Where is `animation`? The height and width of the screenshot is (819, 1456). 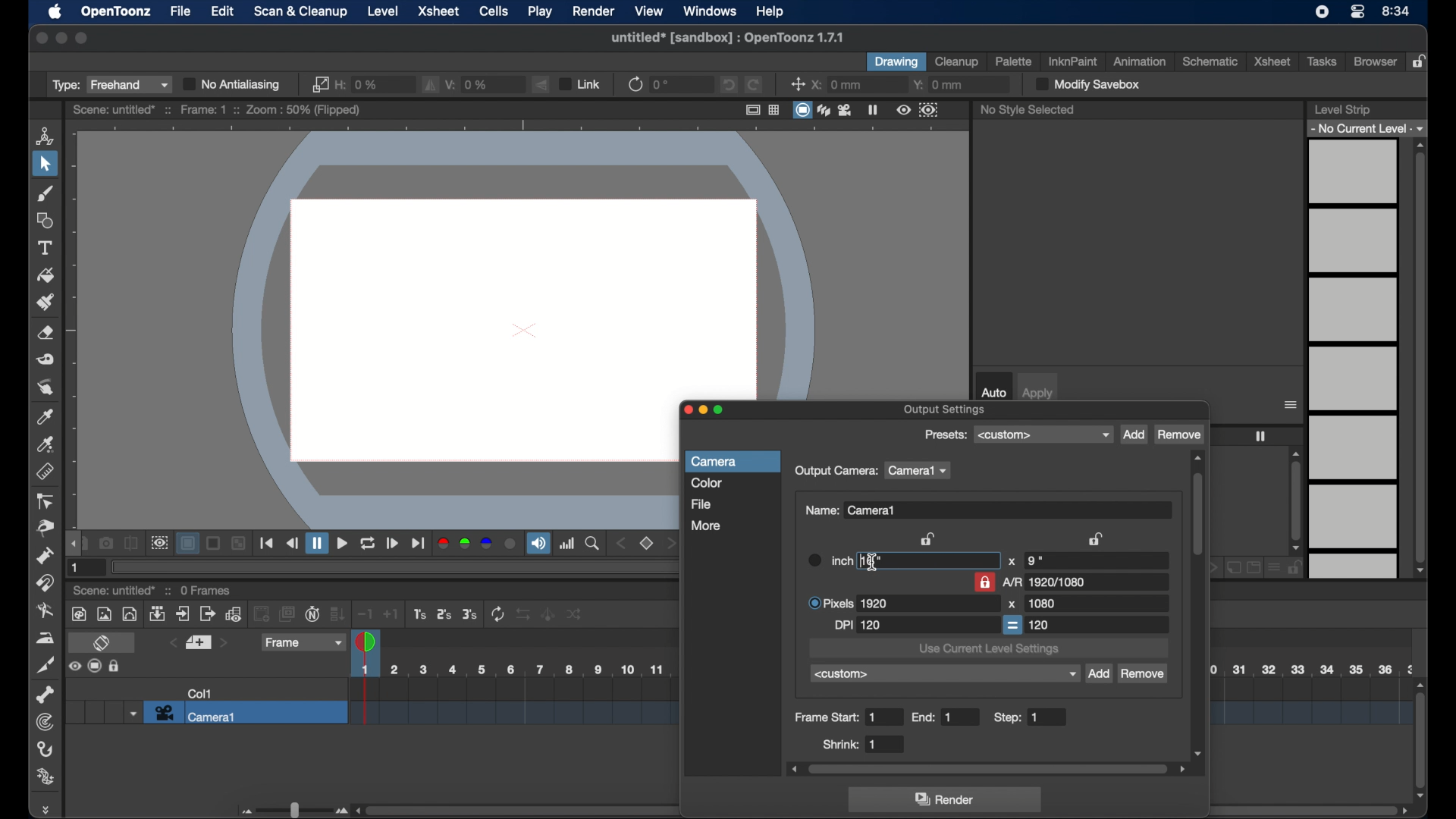
animation is located at coordinates (1138, 61).